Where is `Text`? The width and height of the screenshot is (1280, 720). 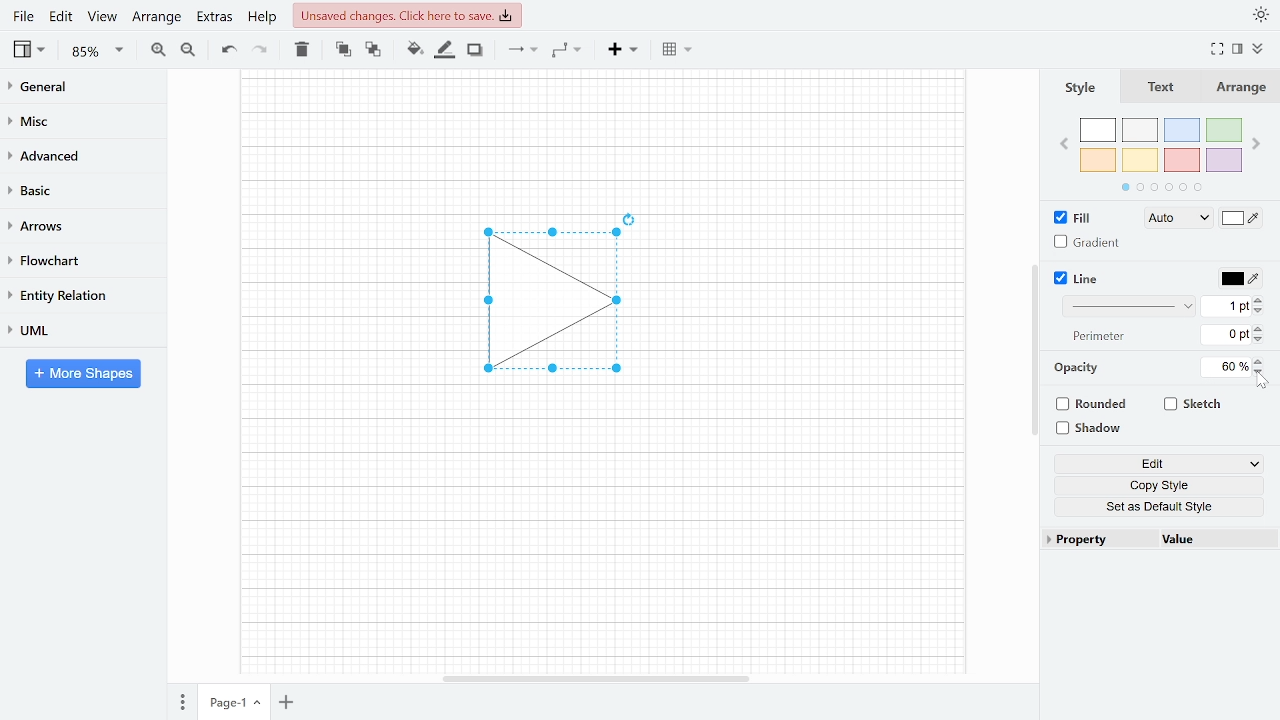 Text is located at coordinates (1157, 88).